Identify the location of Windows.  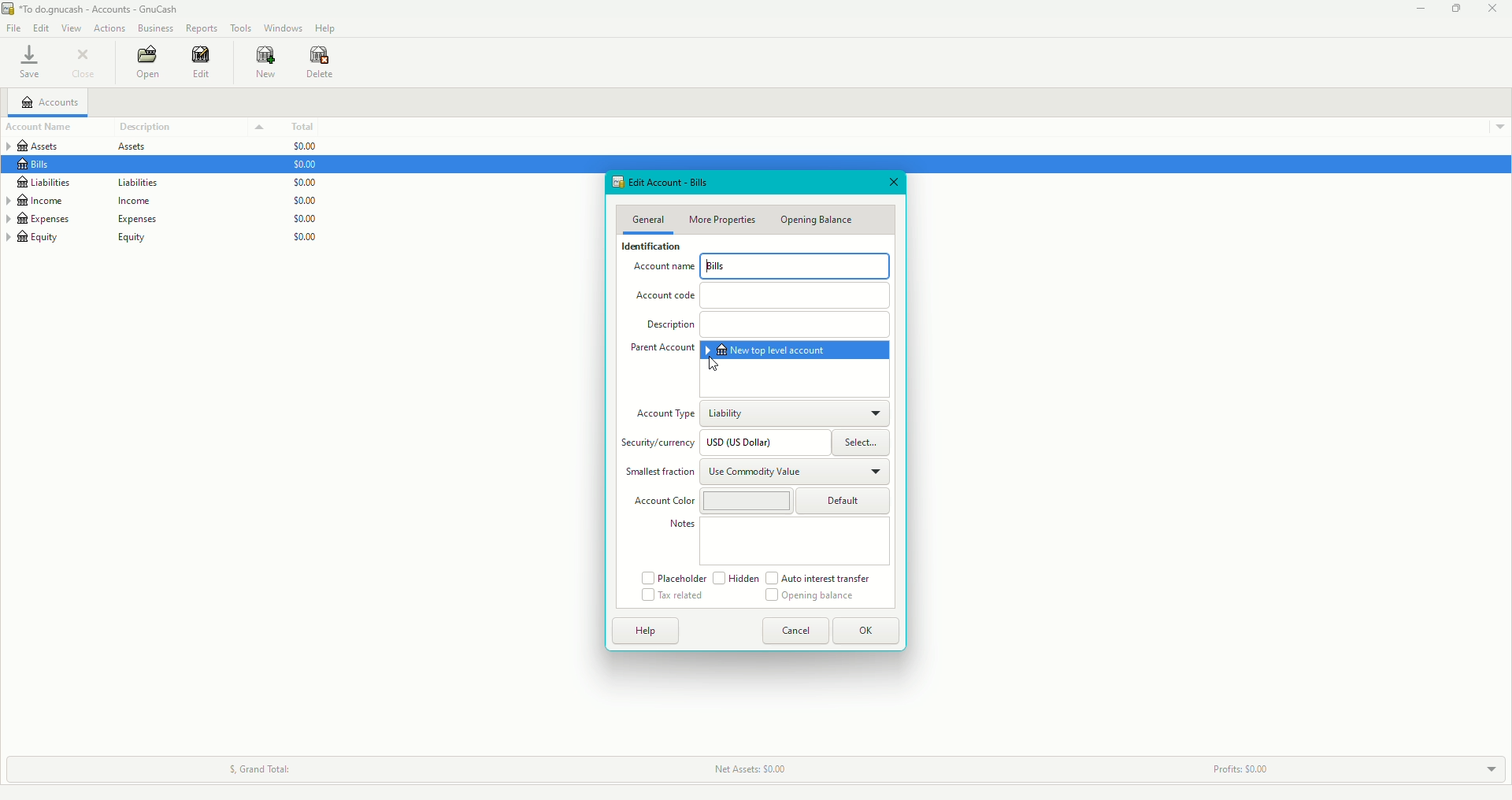
(283, 28).